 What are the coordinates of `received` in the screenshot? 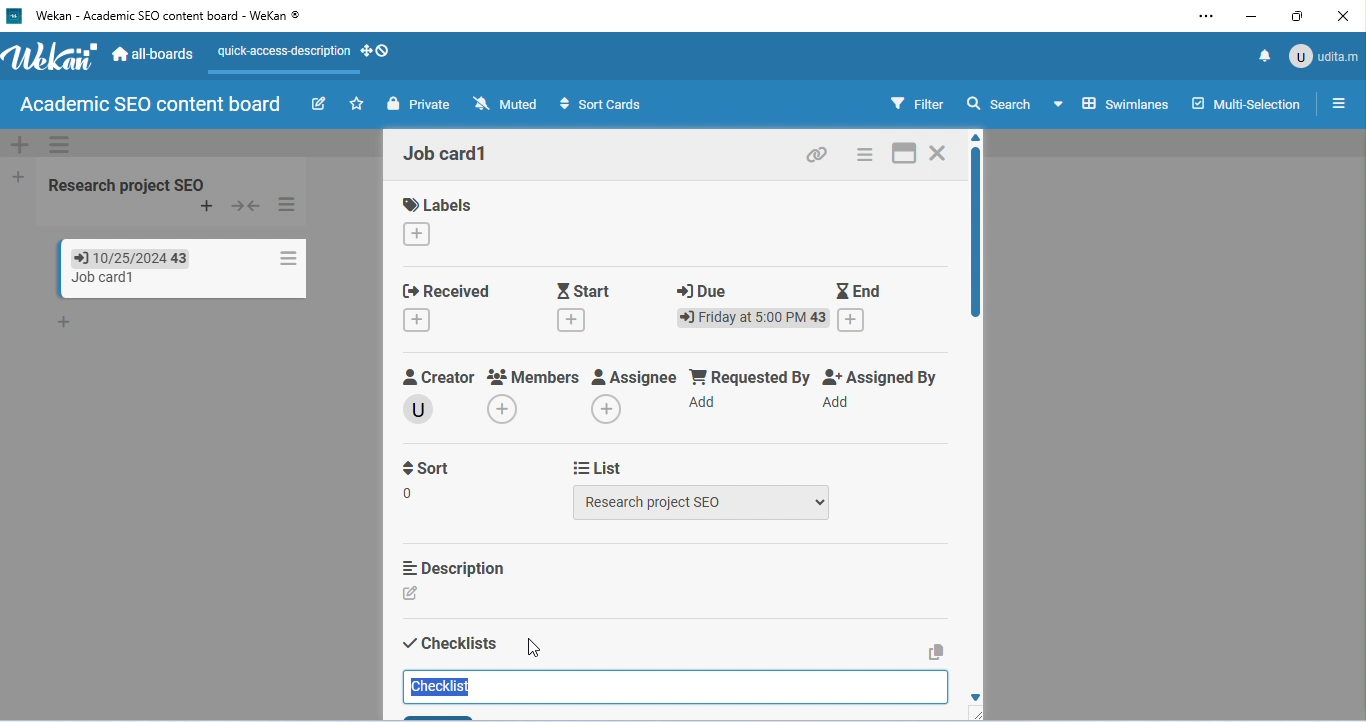 It's located at (446, 289).